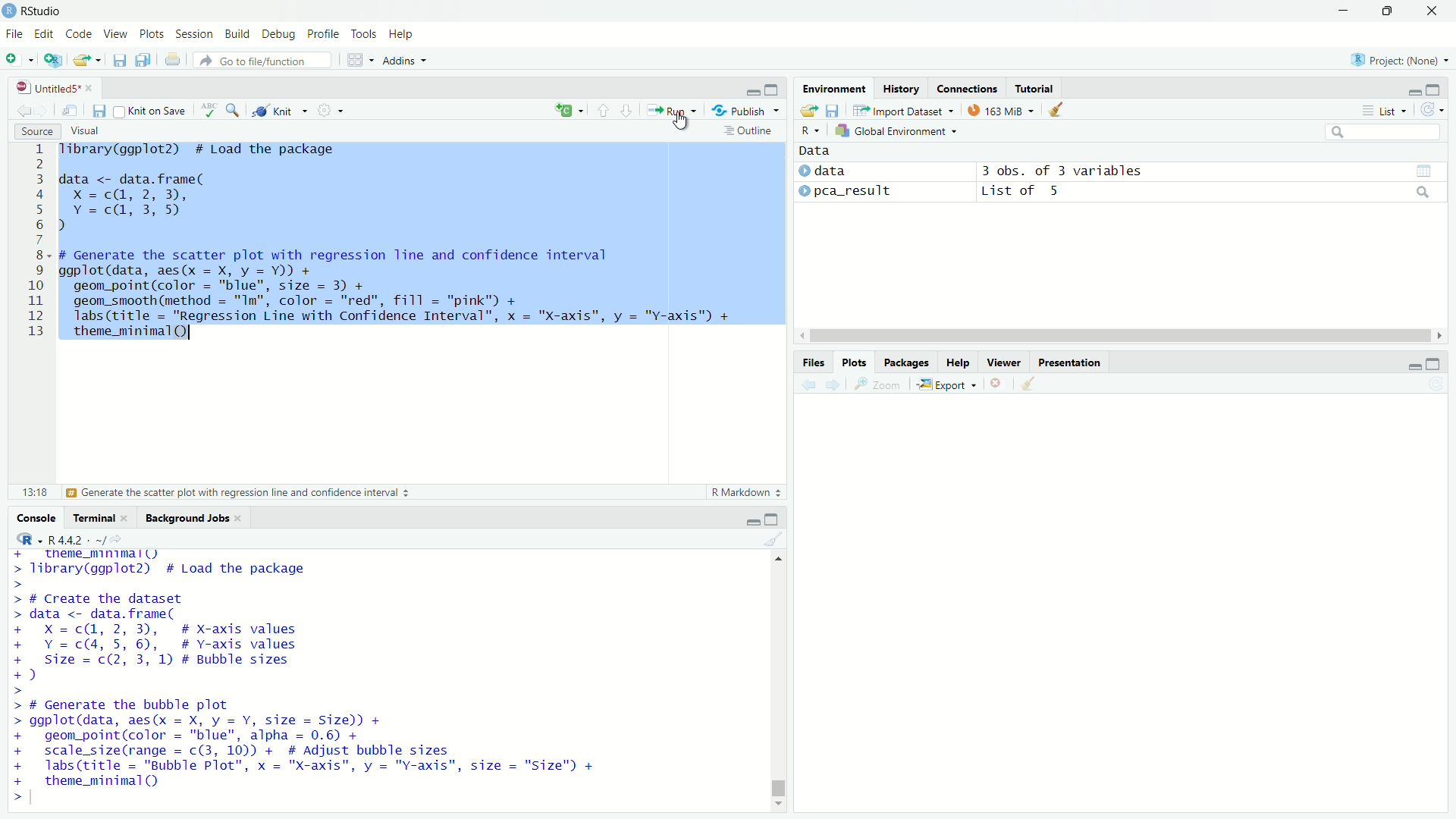 This screenshot has height=819, width=1456. What do you see at coordinates (1024, 191) in the screenshot?
I see `List of 5` at bounding box center [1024, 191].